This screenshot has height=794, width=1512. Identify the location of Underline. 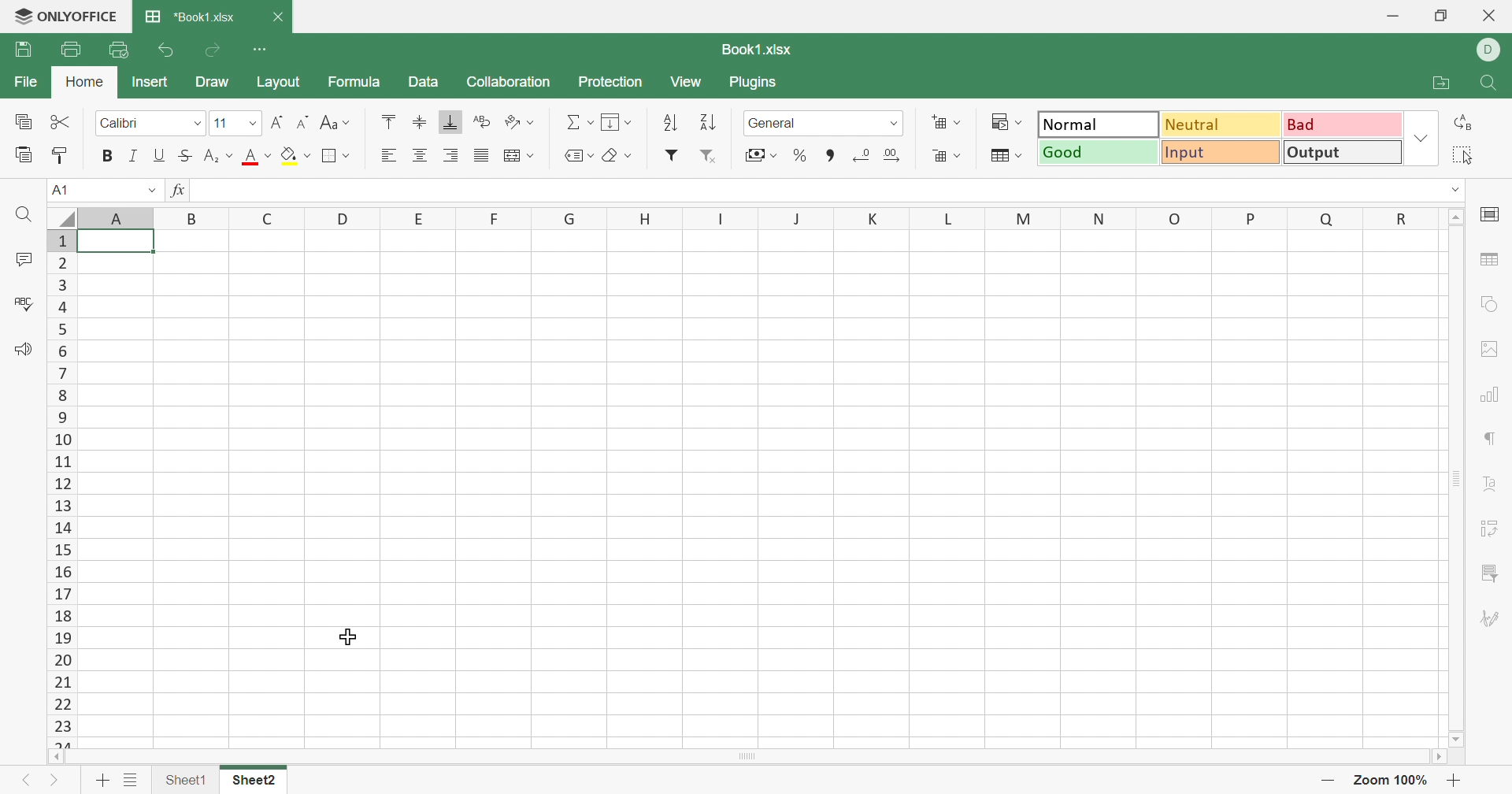
(160, 155).